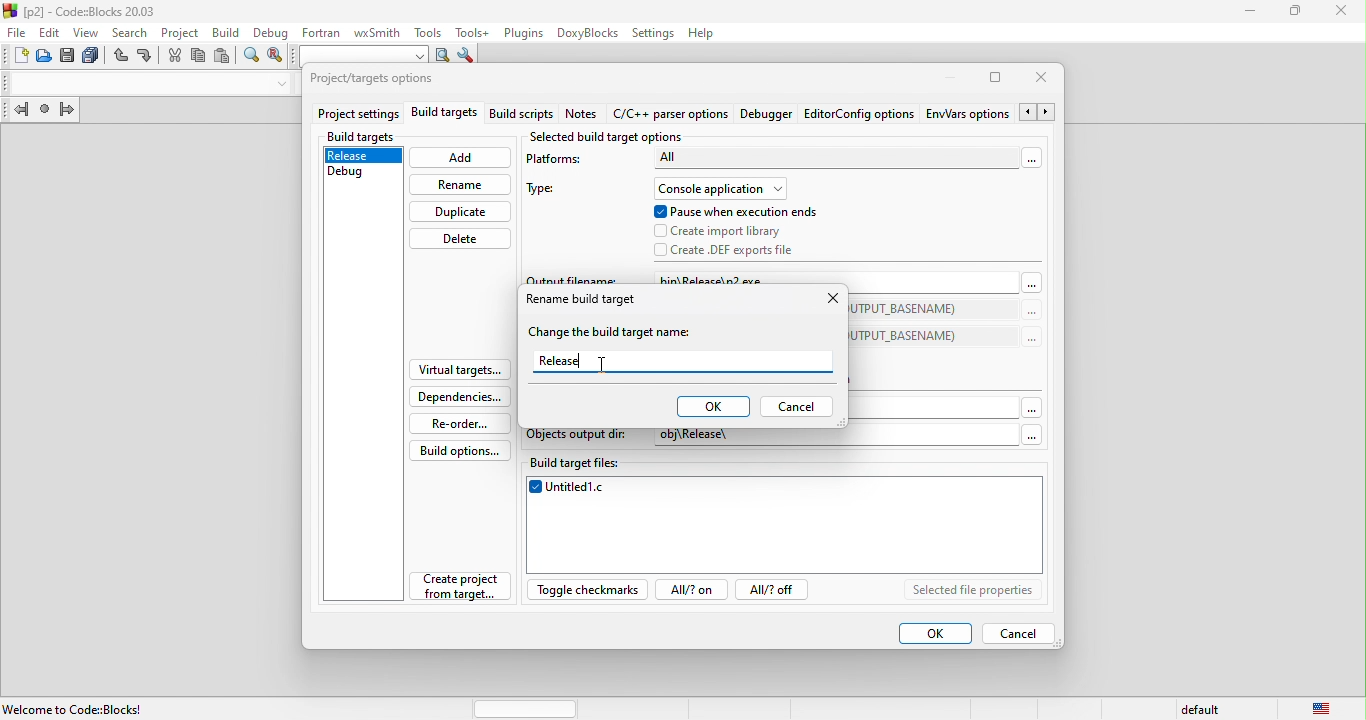 This screenshot has height=720, width=1366. What do you see at coordinates (361, 54) in the screenshot?
I see `search to text` at bounding box center [361, 54].